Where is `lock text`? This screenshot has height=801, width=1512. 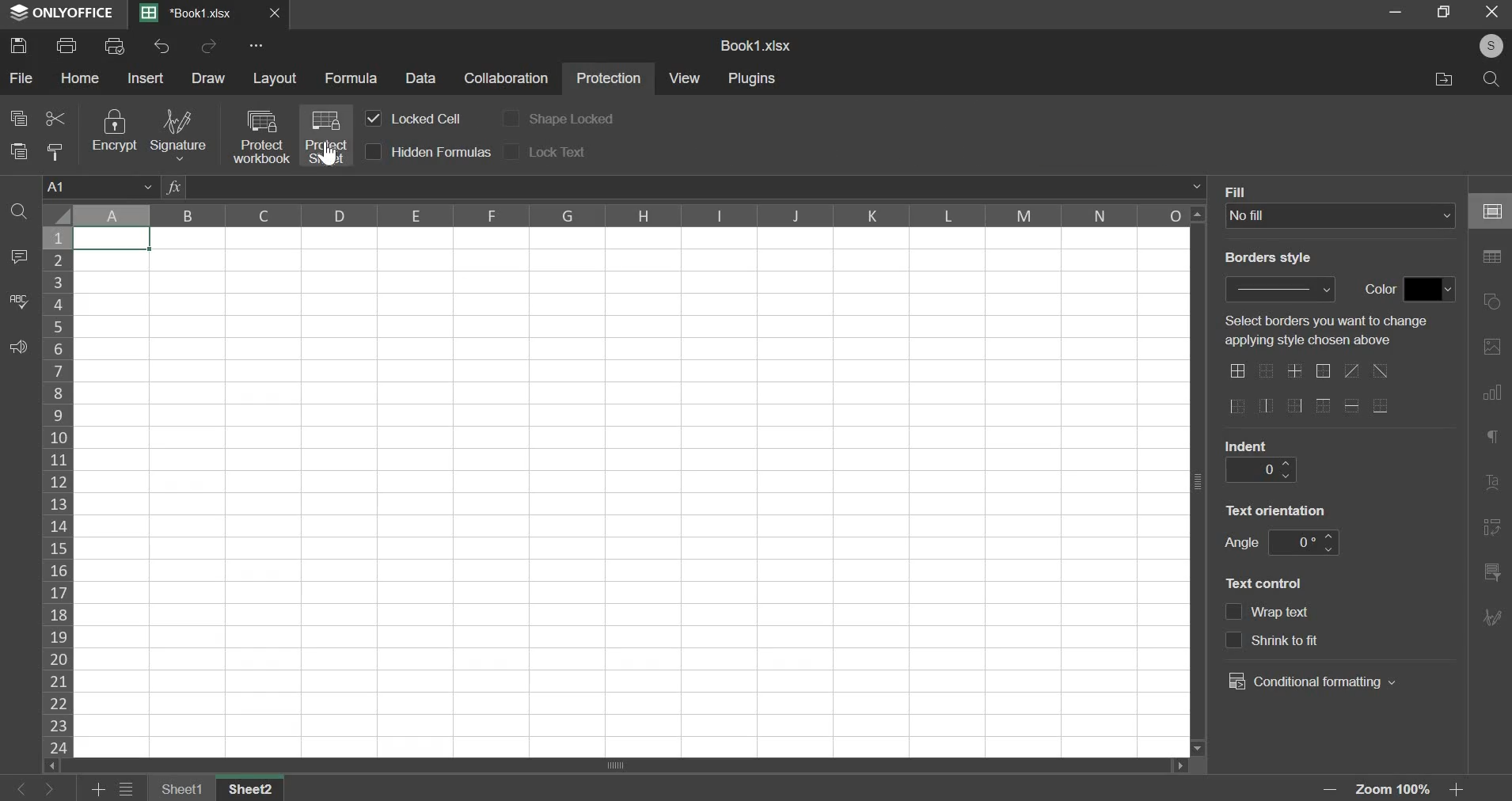
lock text is located at coordinates (557, 151).